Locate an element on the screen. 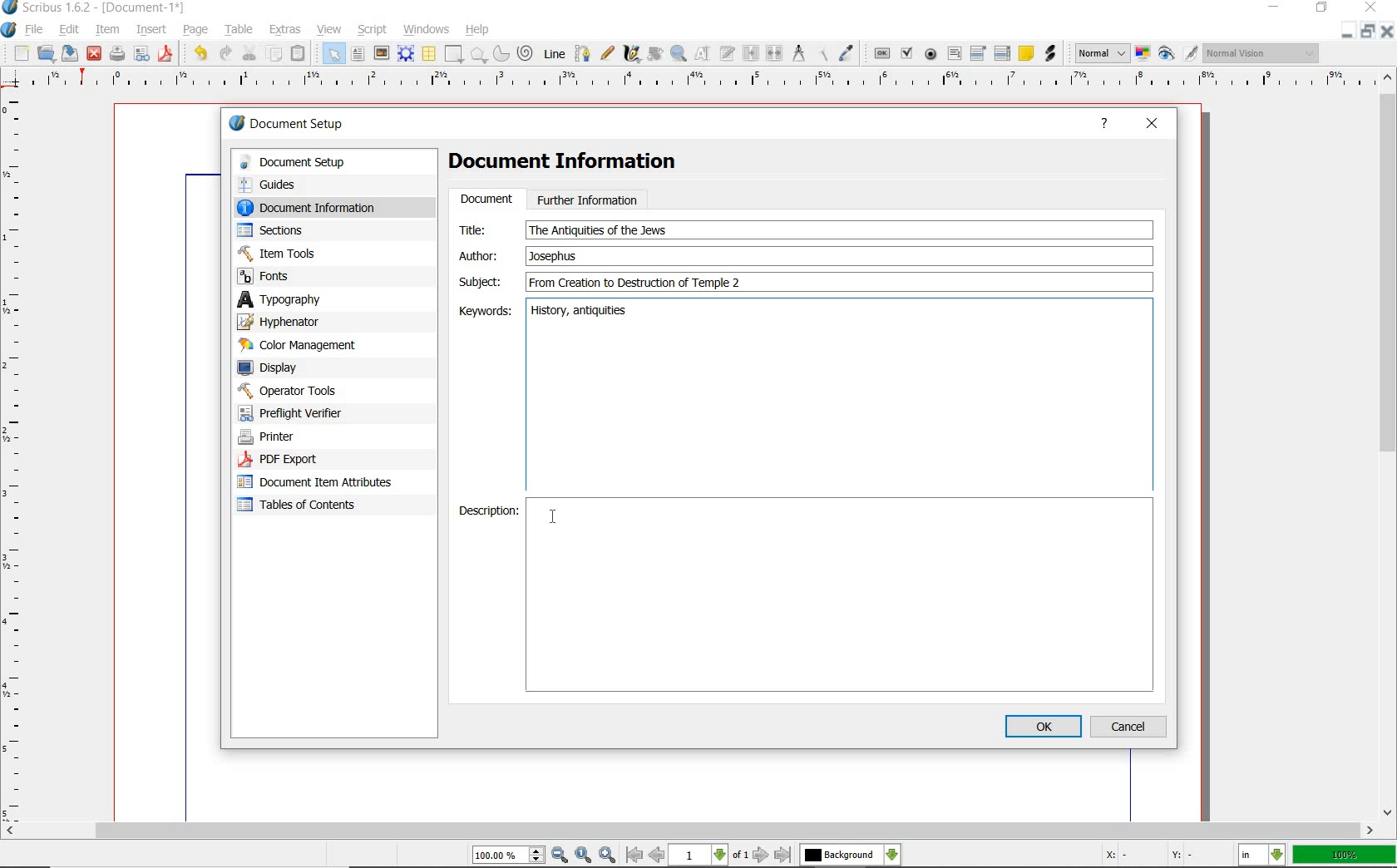 This screenshot has height=868, width=1397. printer is located at coordinates (306, 437).